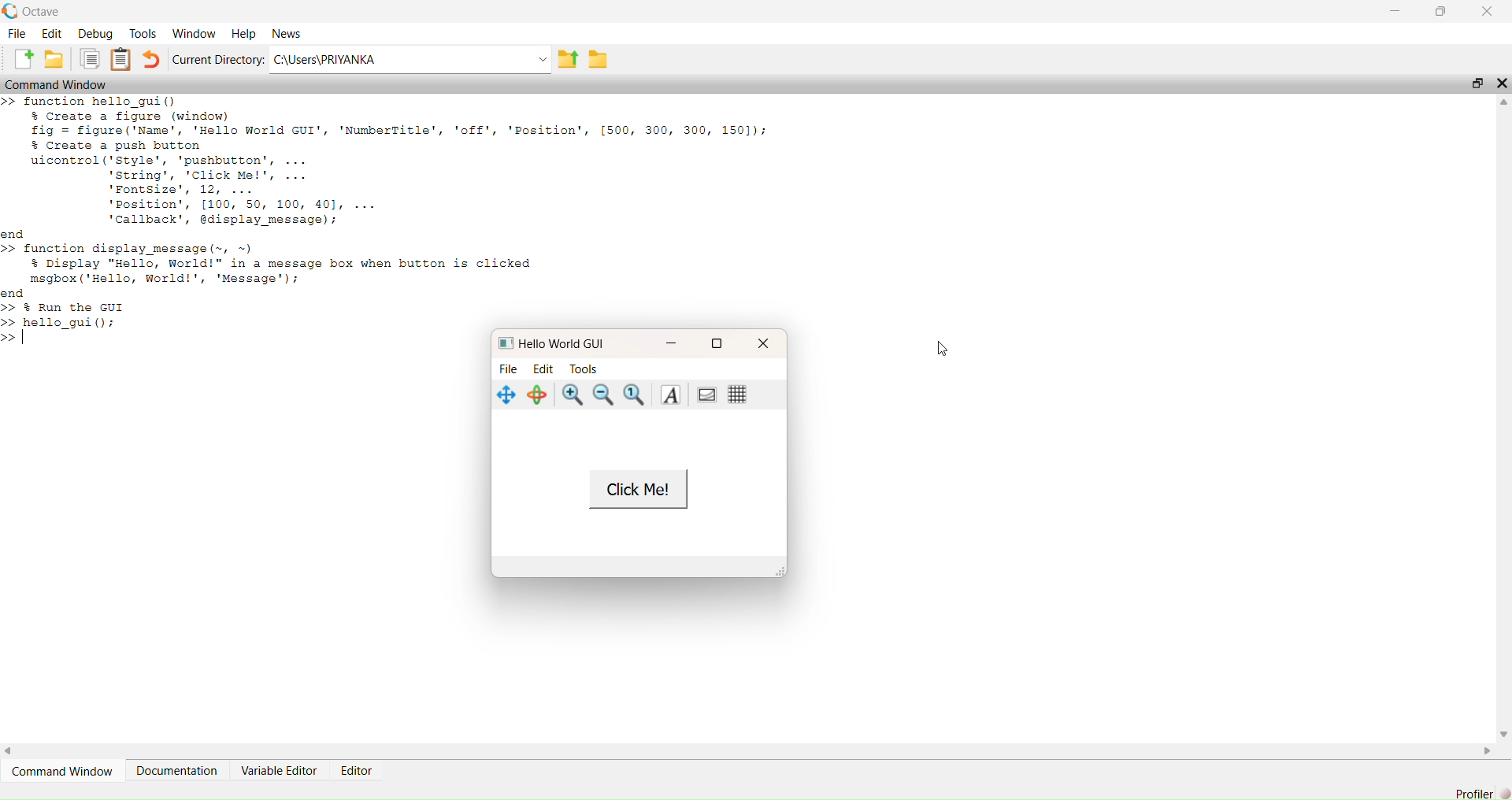 The image size is (1512, 800). What do you see at coordinates (560, 343) in the screenshot?
I see `Hello World GUI` at bounding box center [560, 343].